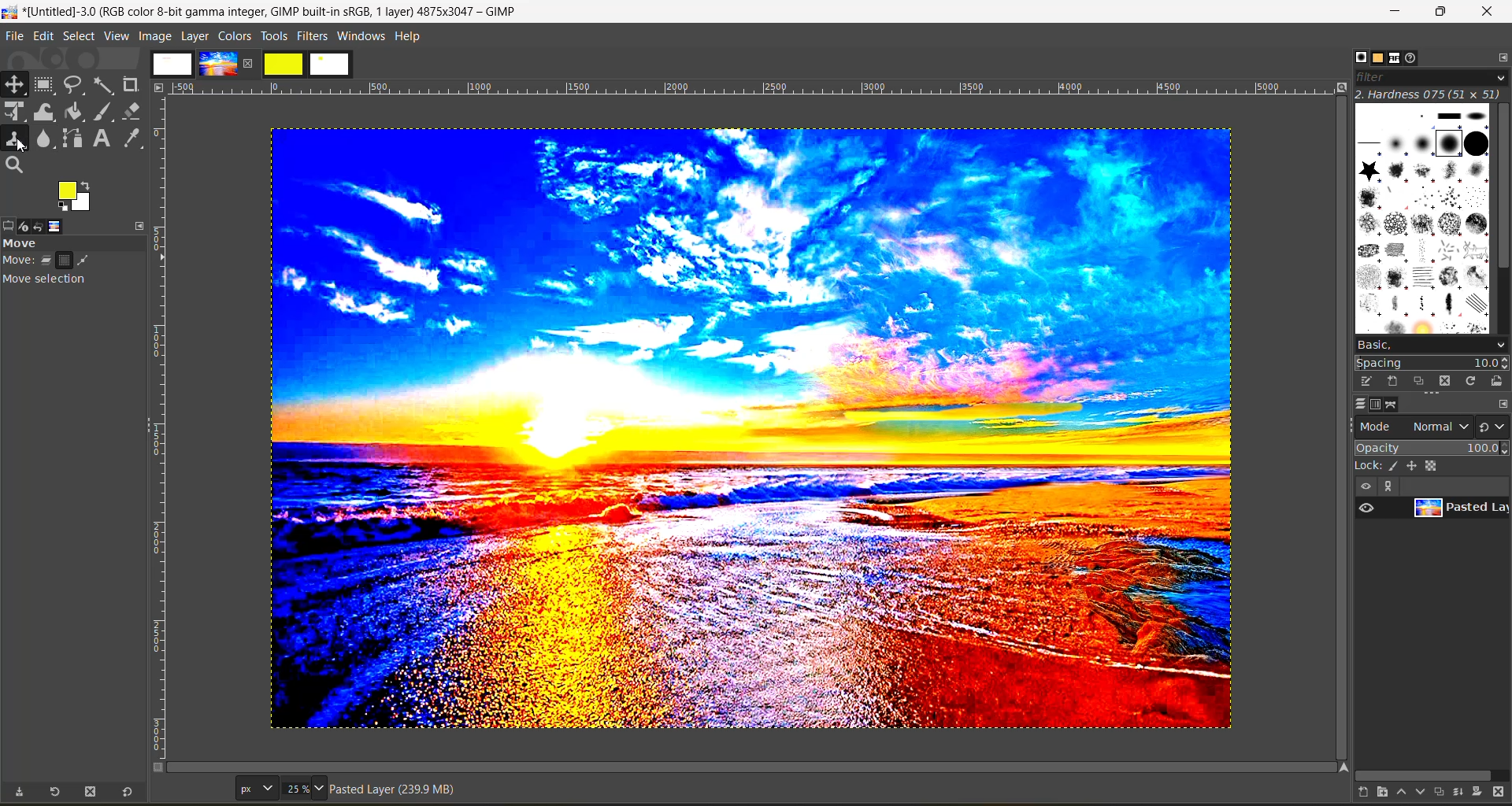 The image size is (1512, 806). Describe the element at coordinates (332, 65) in the screenshot. I see `white` at that location.